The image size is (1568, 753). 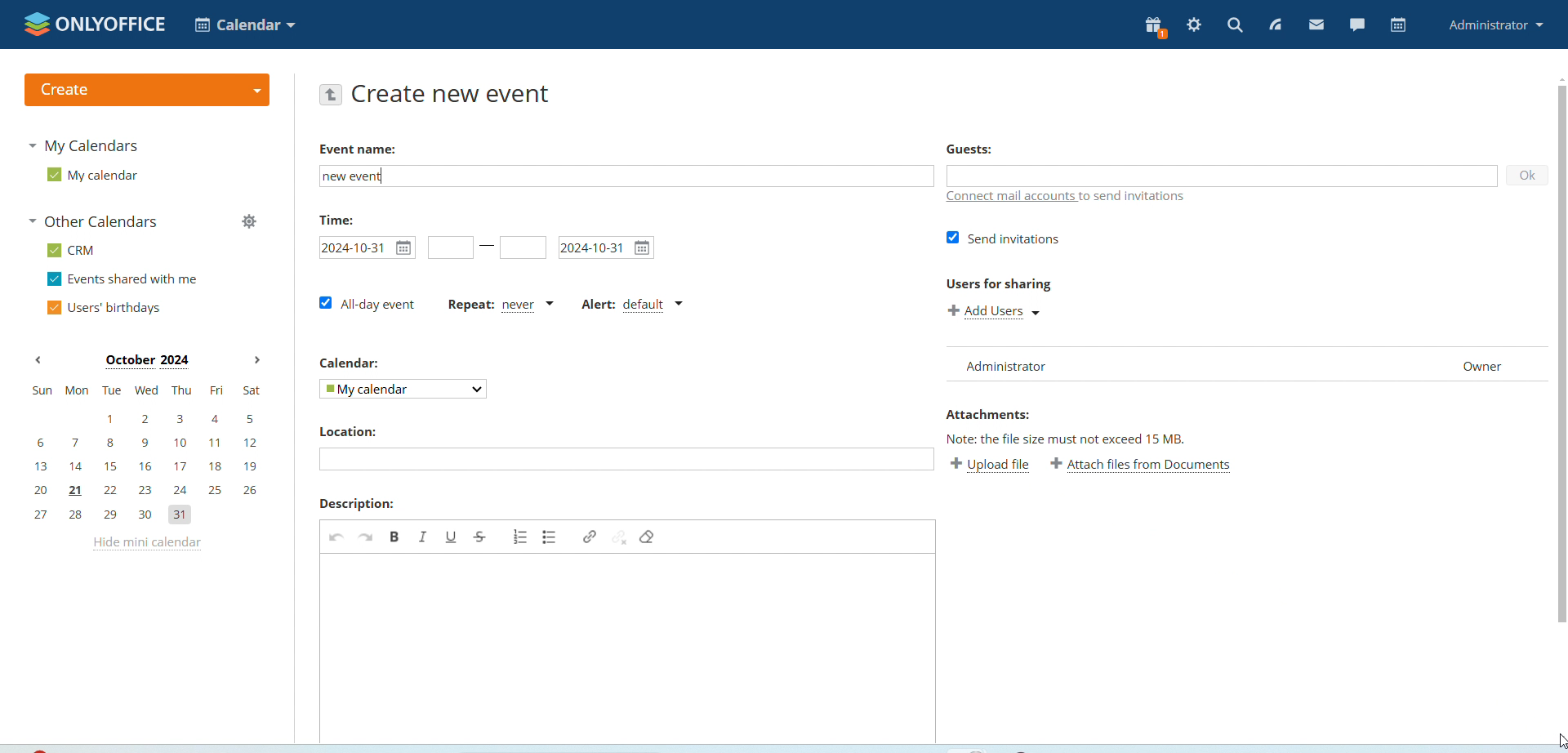 I want to click on attach file from documents, so click(x=1145, y=466).